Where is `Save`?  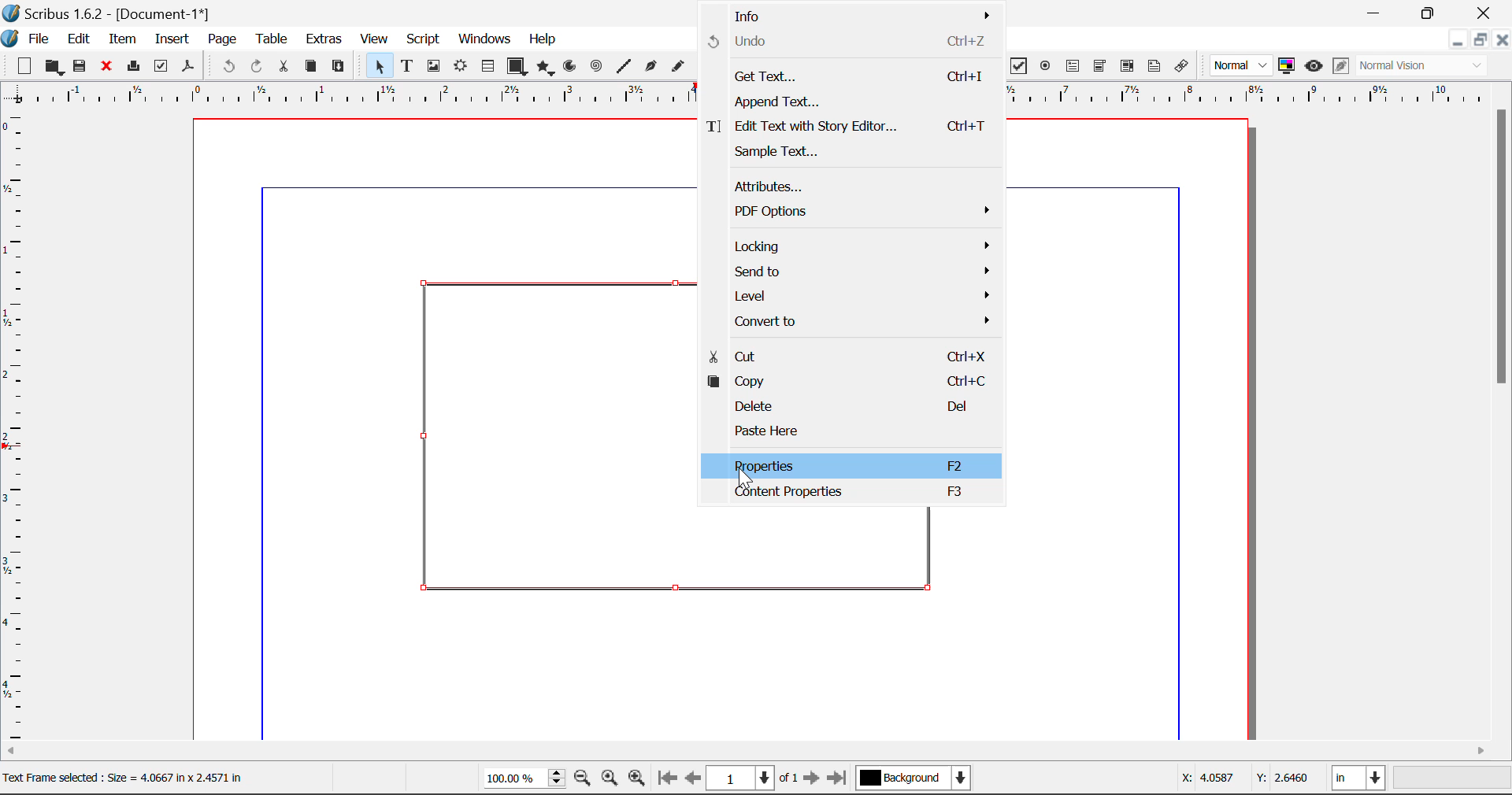 Save is located at coordinates (81, 66).